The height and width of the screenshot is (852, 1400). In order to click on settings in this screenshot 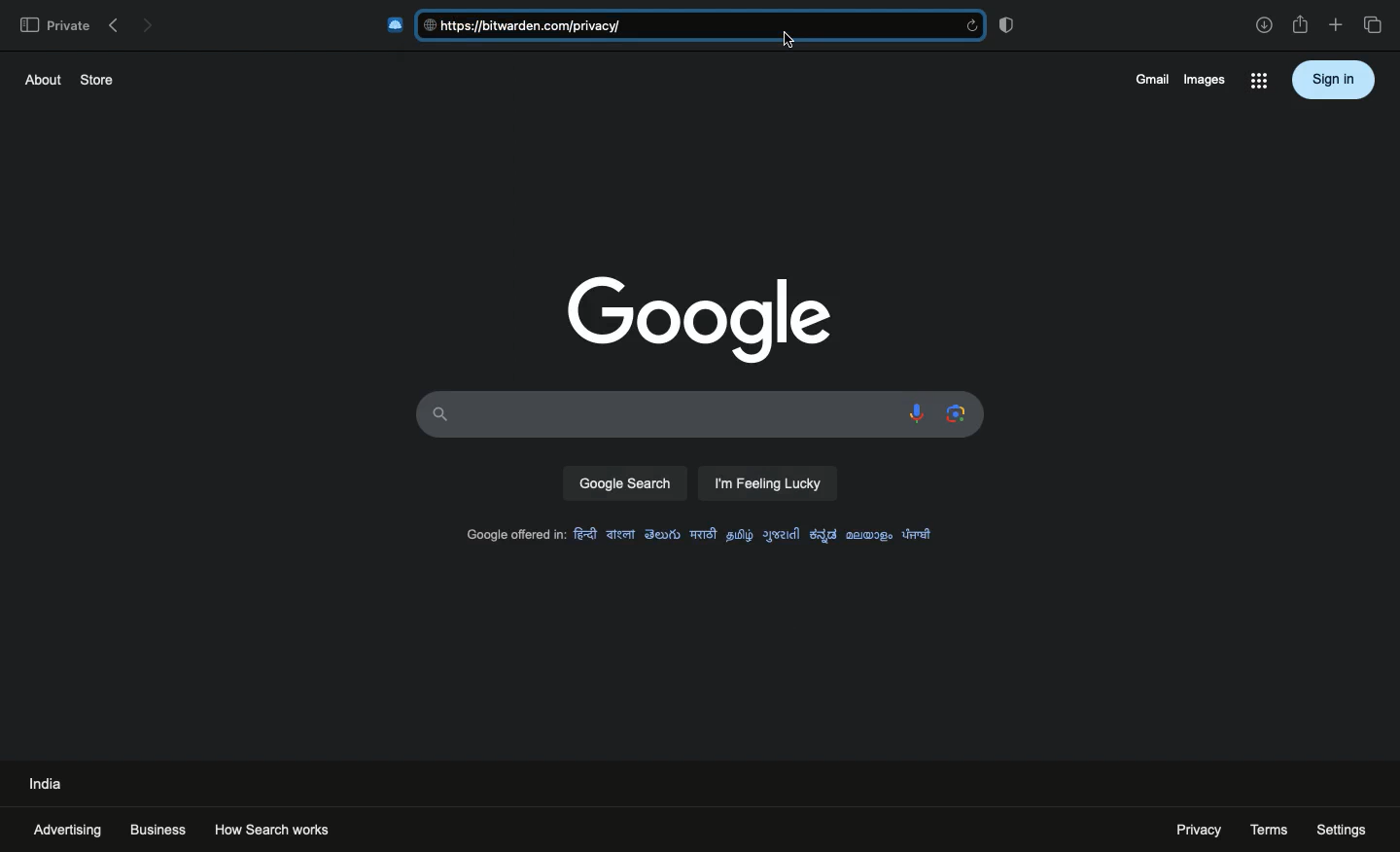, I will do `click(1343, 829)`.